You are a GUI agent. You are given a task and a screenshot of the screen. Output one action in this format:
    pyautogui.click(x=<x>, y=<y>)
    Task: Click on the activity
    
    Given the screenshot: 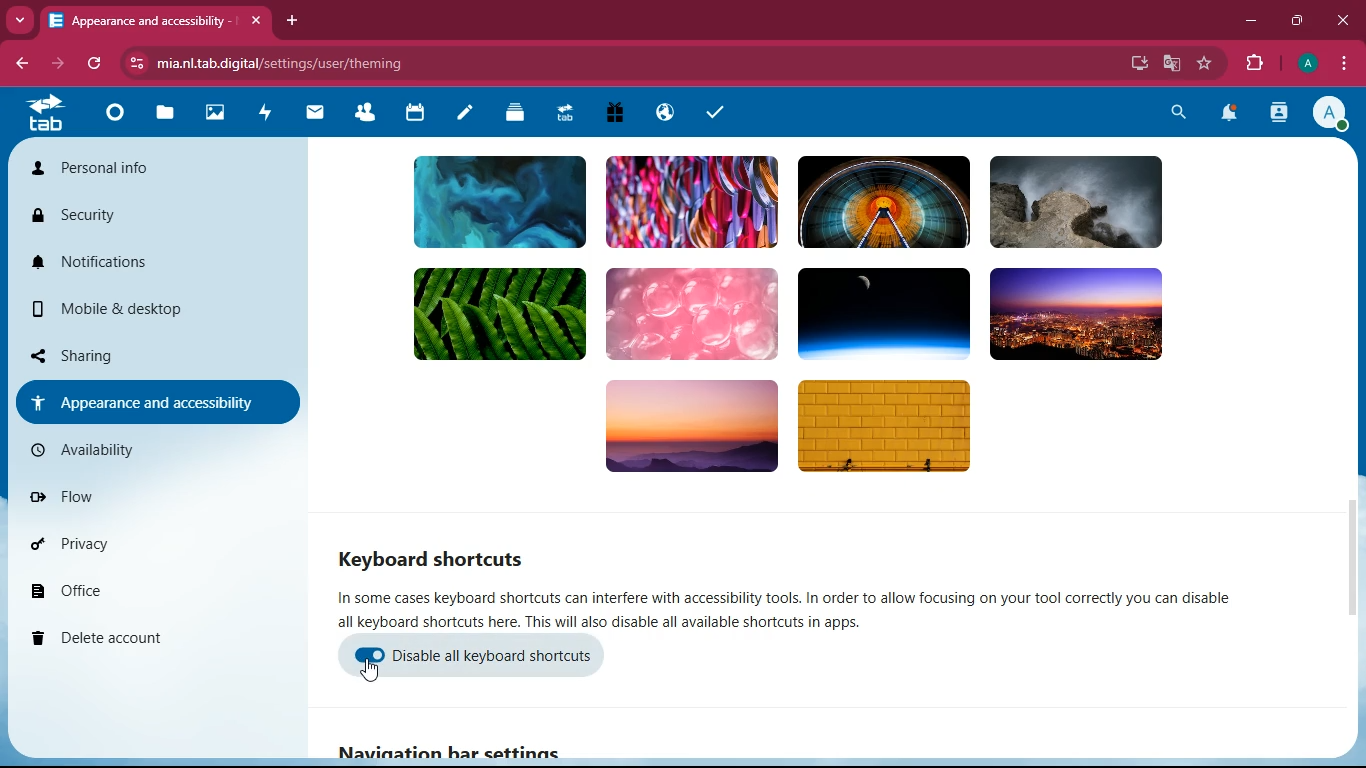 What is the action you would take?
    pyautogui.click(x=1277, y=115)
    